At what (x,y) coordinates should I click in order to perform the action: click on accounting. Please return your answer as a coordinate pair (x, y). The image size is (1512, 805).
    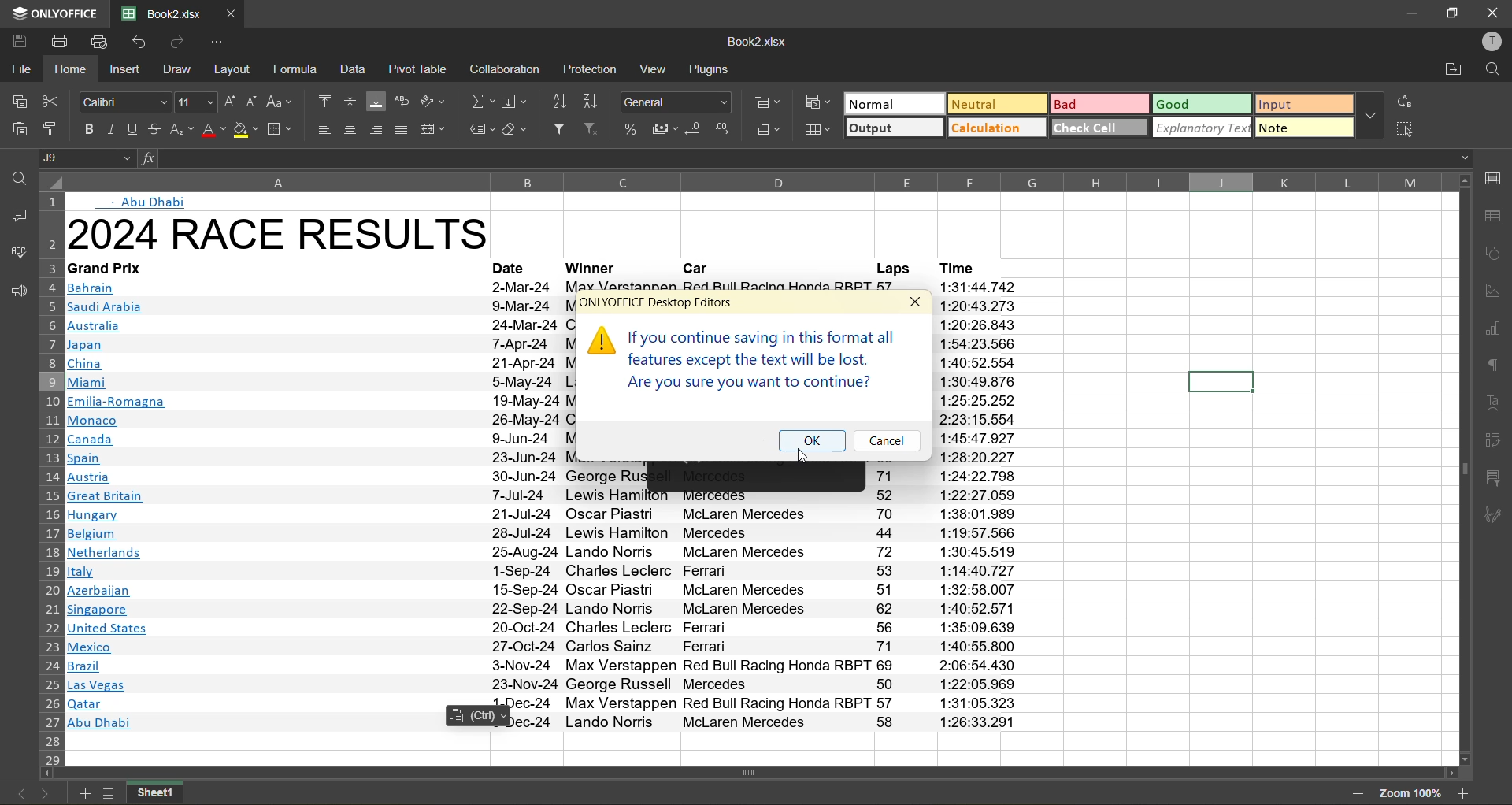
    Looking at the image, I should click on (662, 130).